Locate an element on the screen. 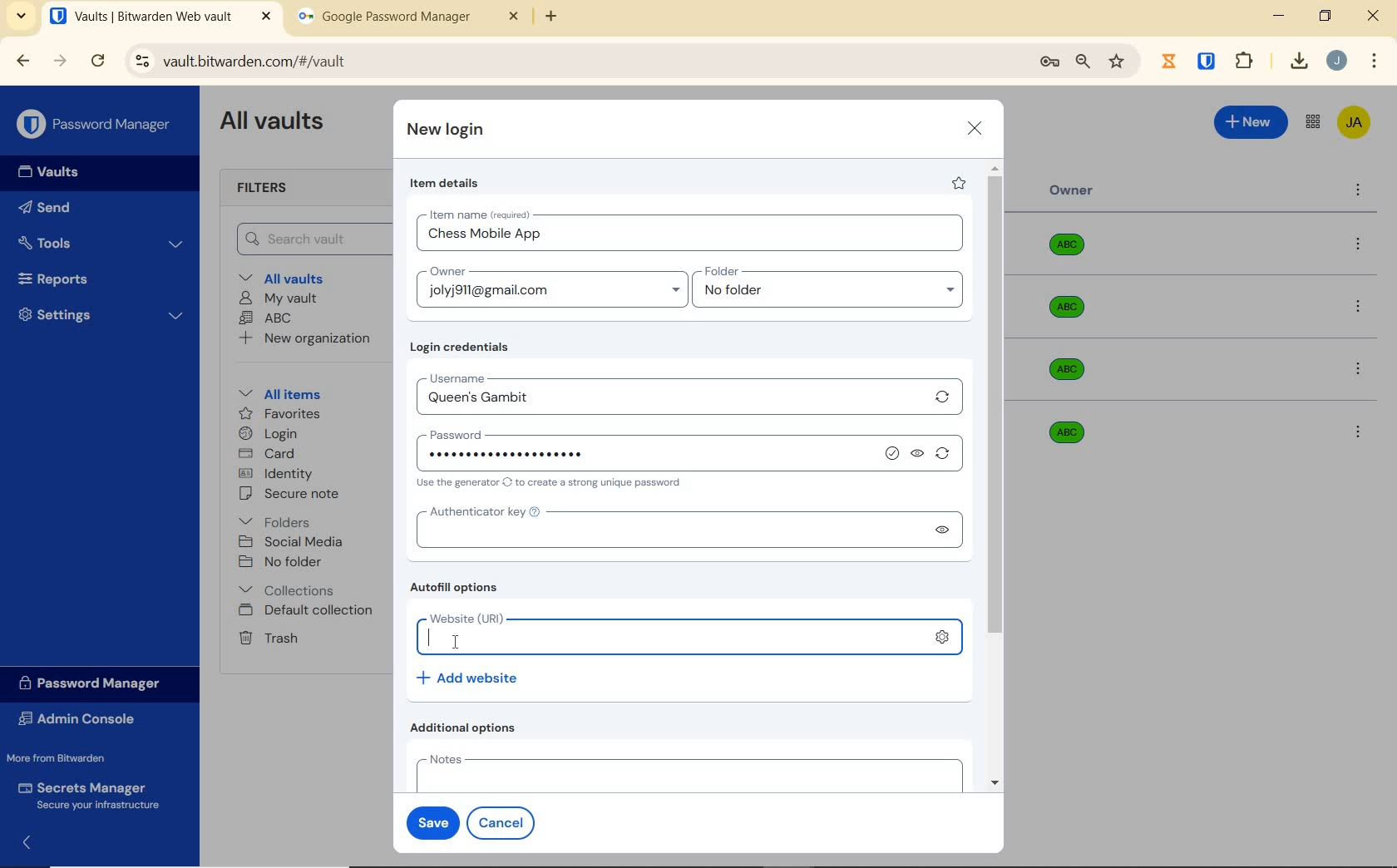 The width and height of the screenshot is (1397, 868). Login credentials is located at coordinates (463, 348).